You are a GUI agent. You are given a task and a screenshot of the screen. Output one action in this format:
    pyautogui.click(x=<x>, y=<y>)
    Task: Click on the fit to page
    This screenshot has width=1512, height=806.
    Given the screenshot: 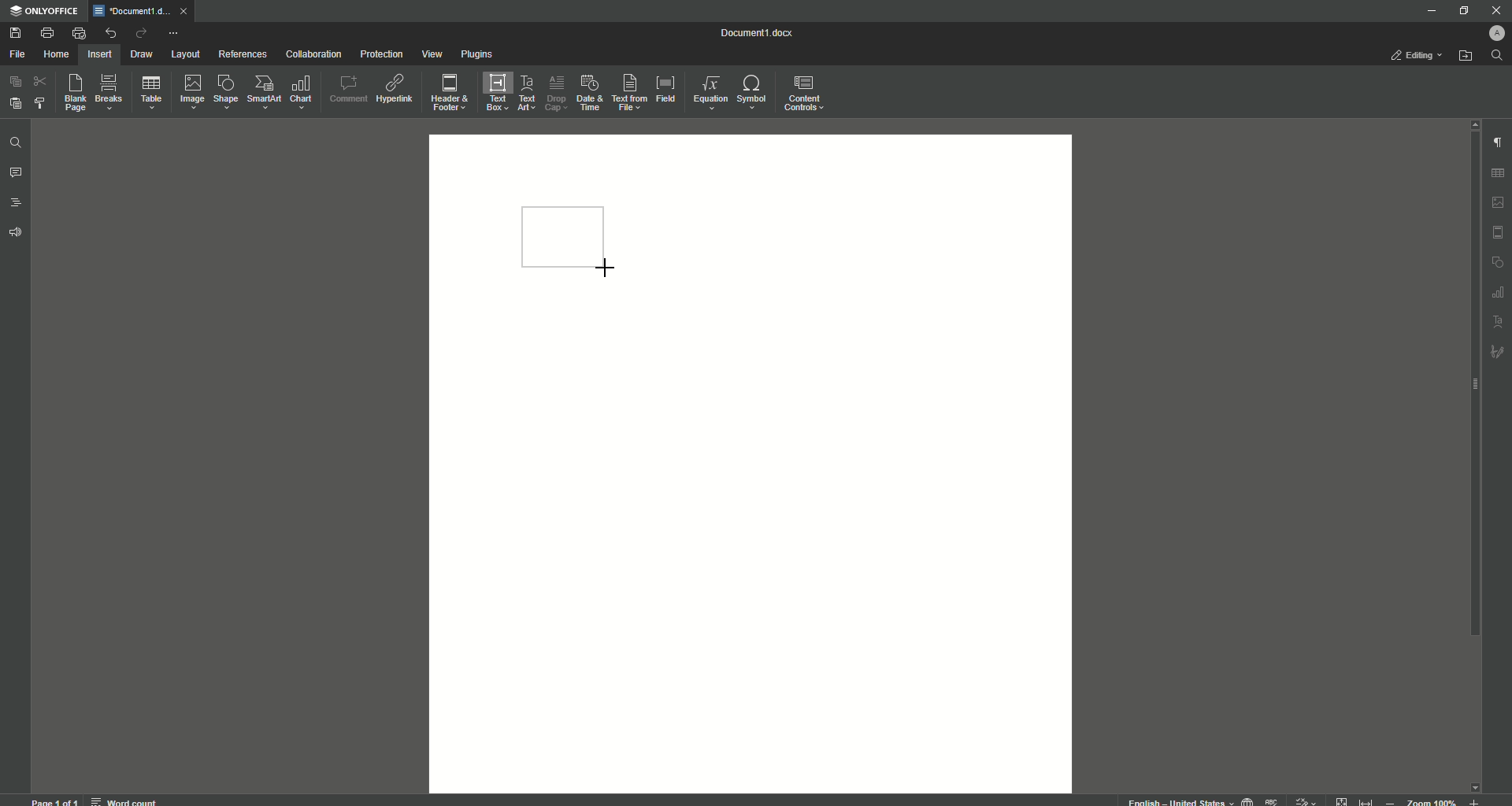 What is the action you would take?
    pyautogui.click(x=1343, y=800)
    